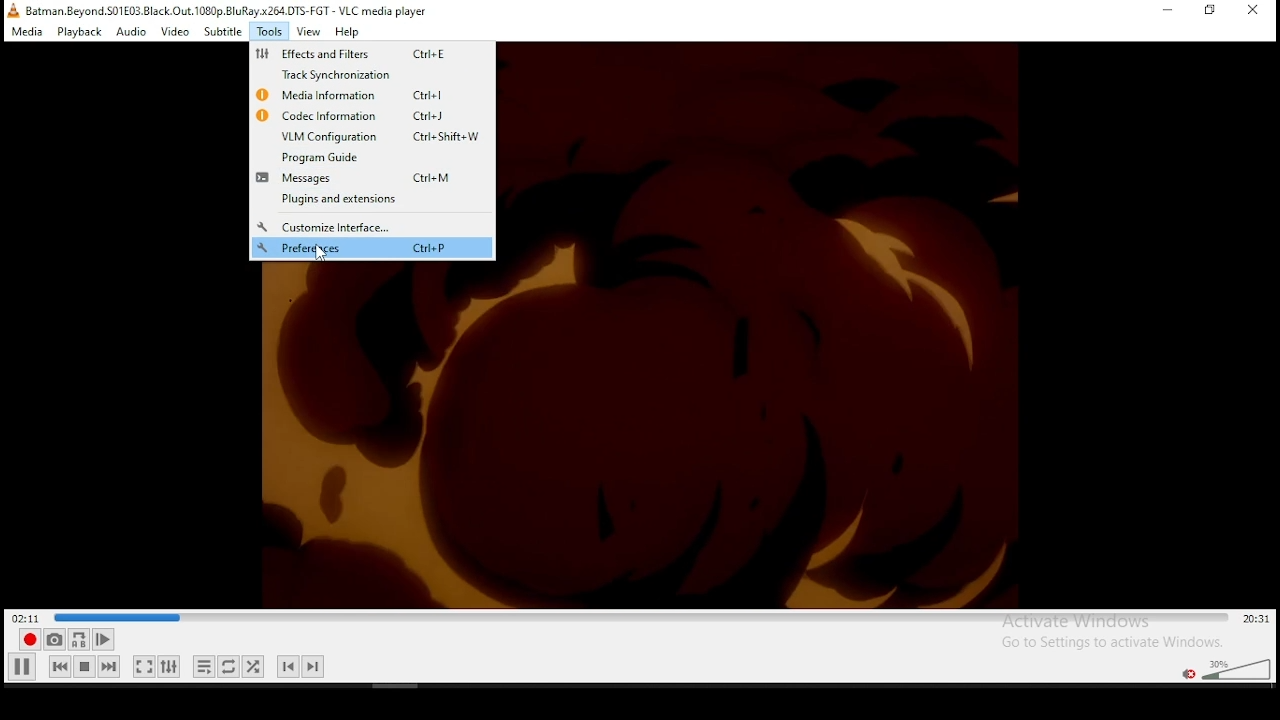  What do you see at coordinates (268, 30) in the screenshot?
I see `tools` at bounding box center [268, 30].